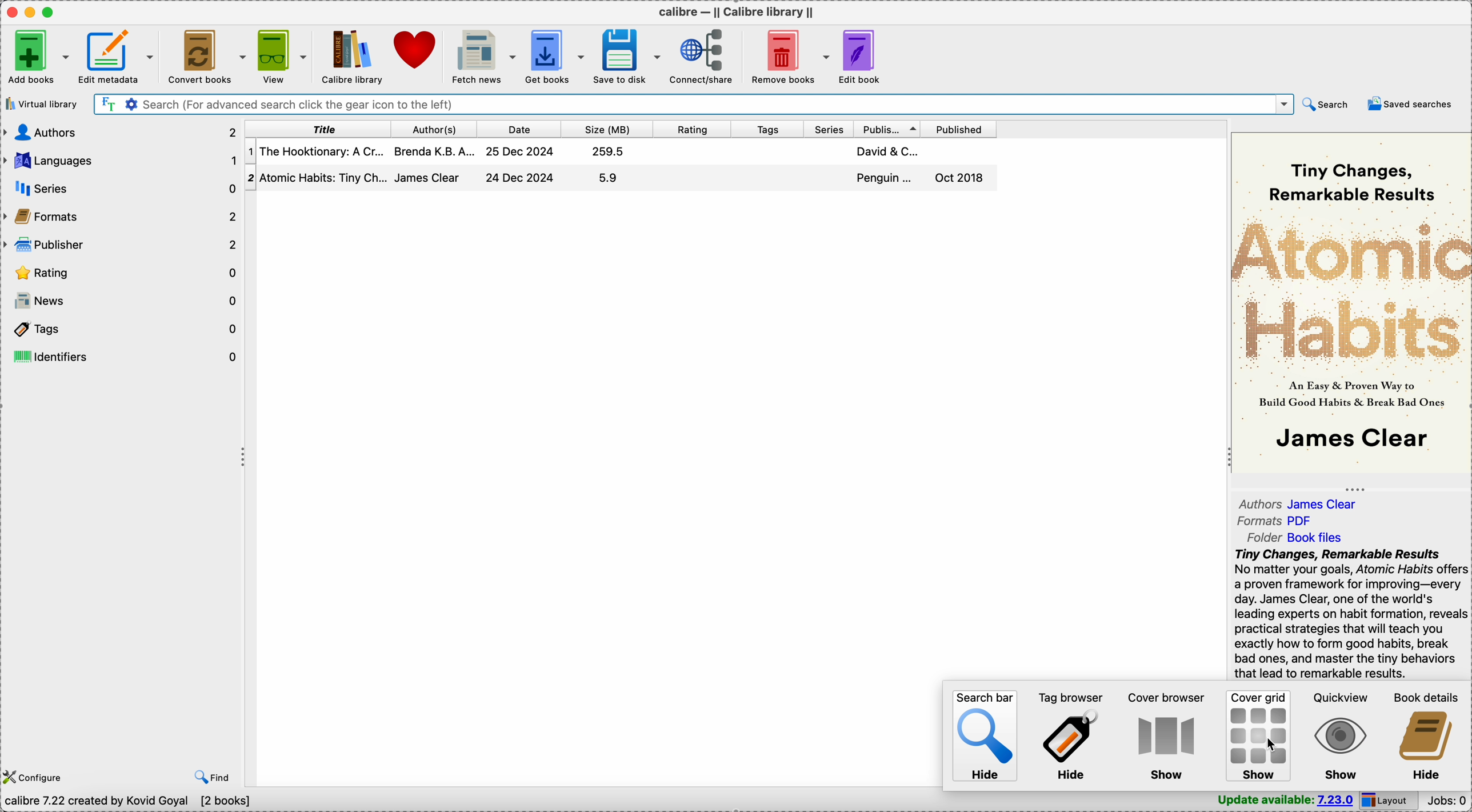 The image size is (1472, 812). I want to click on 1, so click(250, 150).